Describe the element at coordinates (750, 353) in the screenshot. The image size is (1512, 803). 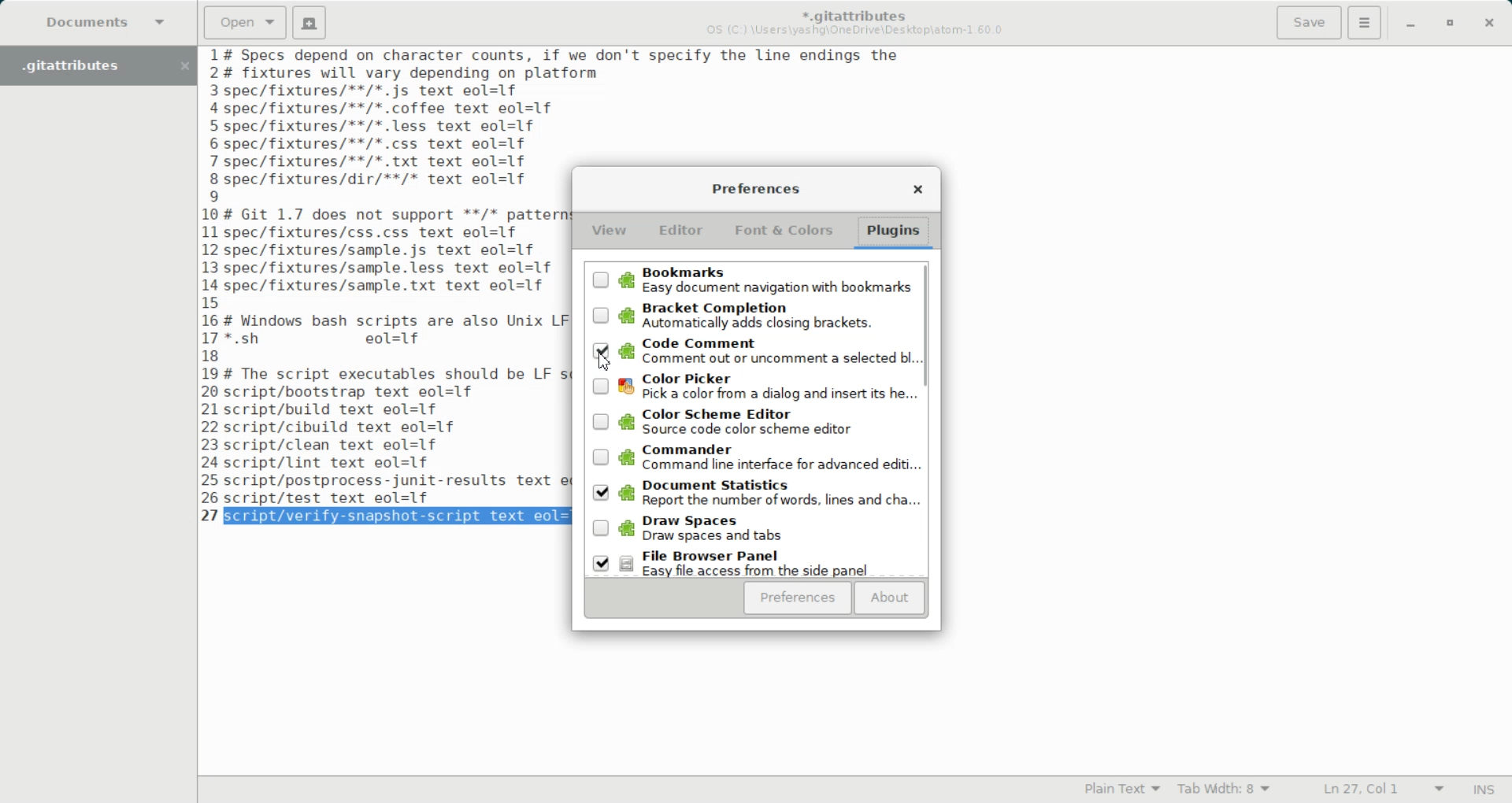
I see `code comment: comment out or uncomment a selected b..` at that location.